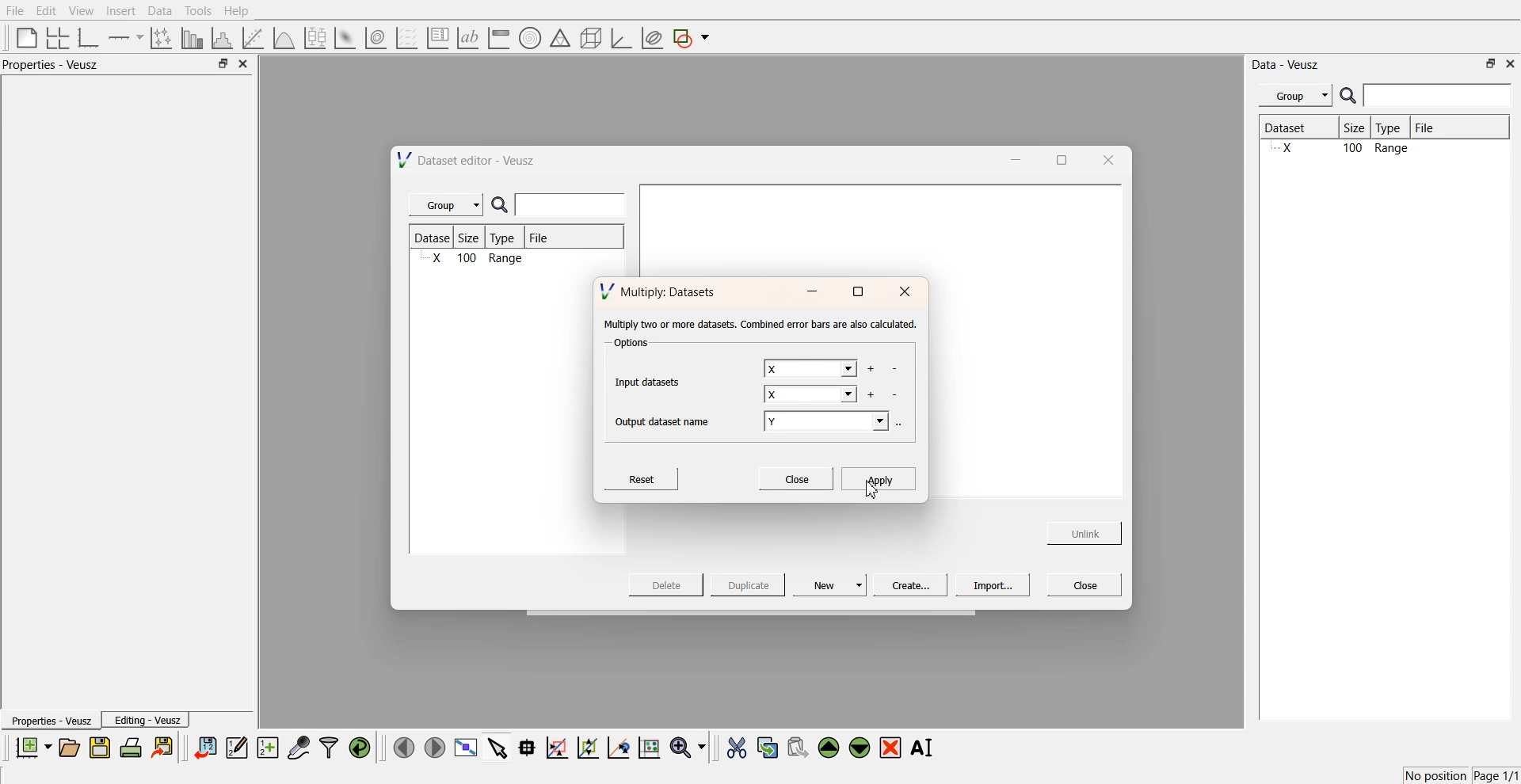  Describe the element at coordinates (474, 238) in the screenshot. I see `Size` at that location.